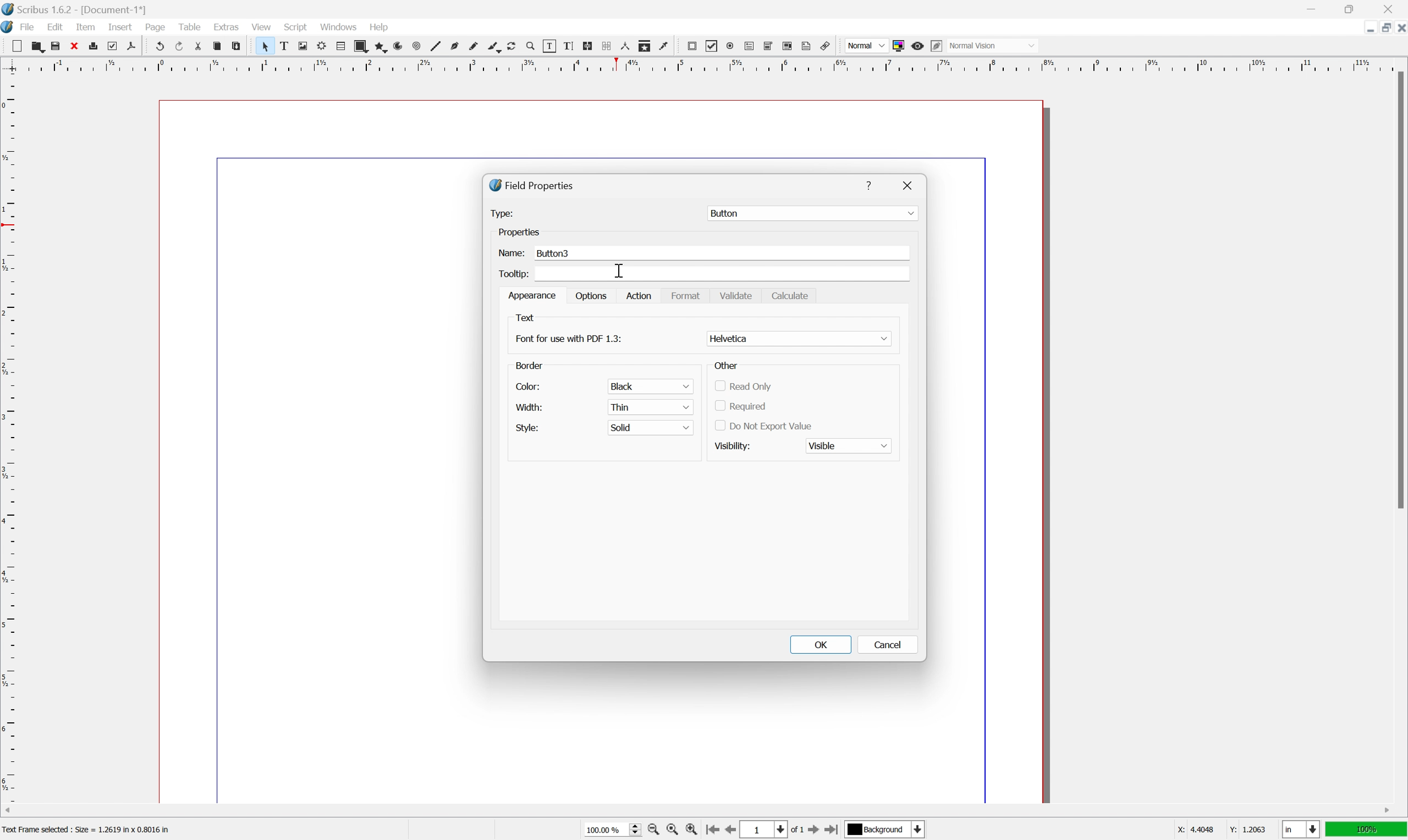 The width and height of the screenshot is (1408, 840). What do you see at coordinates (712, 46) in the screenshot?
I see `pdf checkbox` at bounding box center [712, 46].